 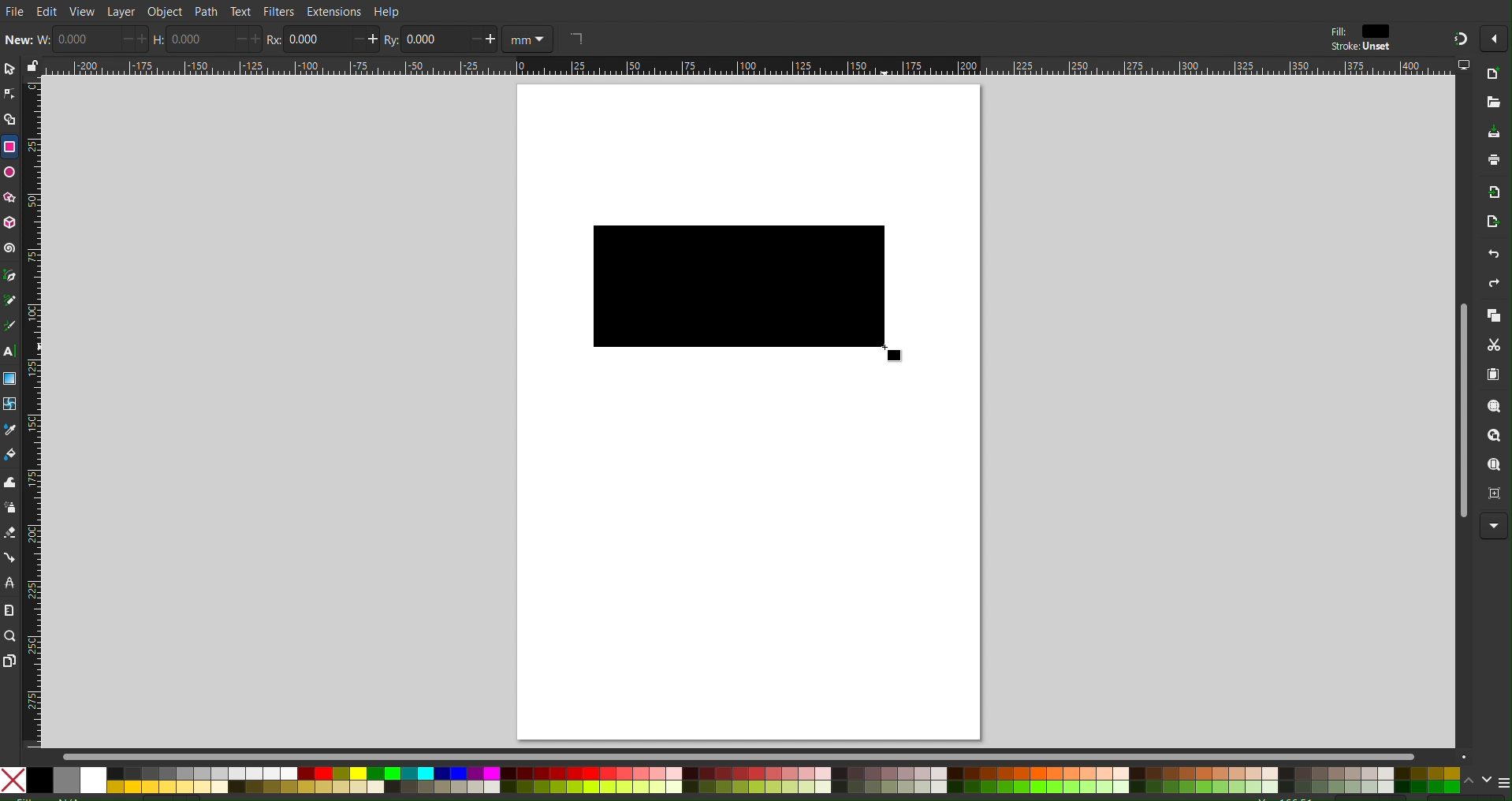 What do you see at coordinates (165, 11) in the screenshot?
I see `Object` at bounding box center [165, 11].